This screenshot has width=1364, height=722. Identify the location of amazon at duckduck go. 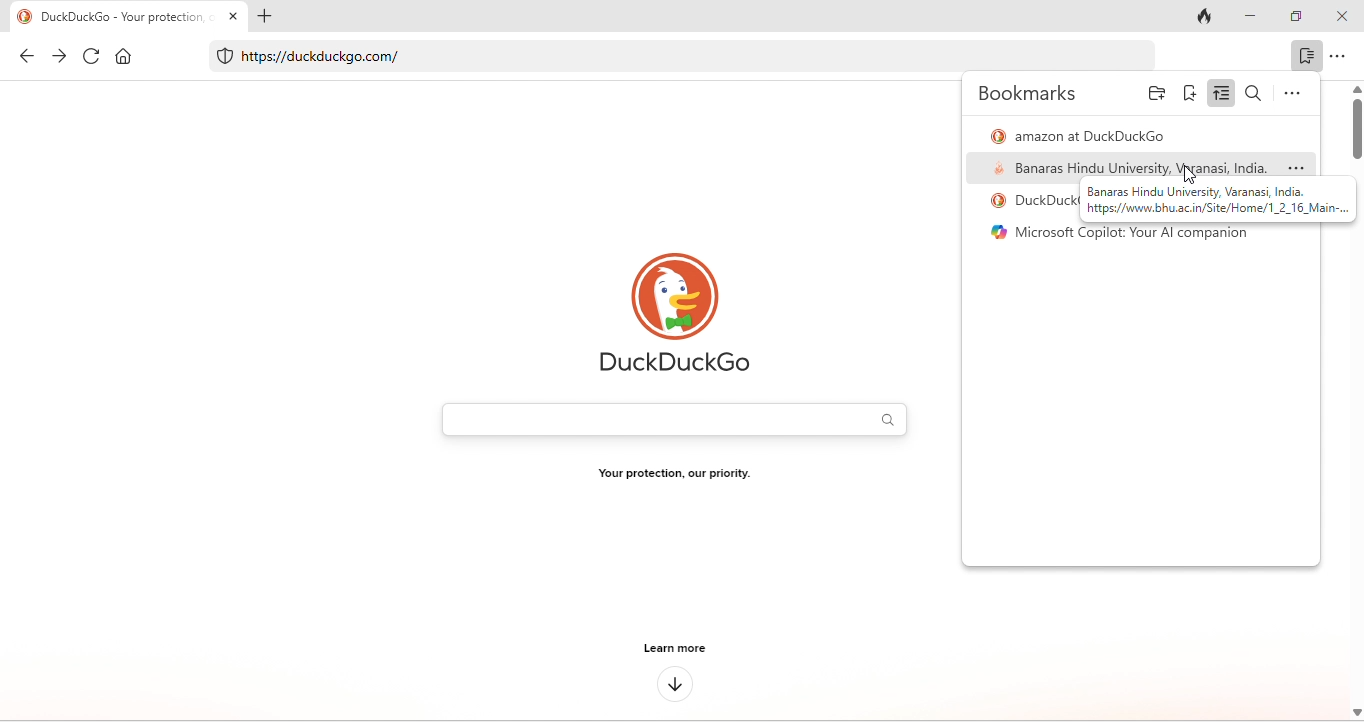
(1083, 133).